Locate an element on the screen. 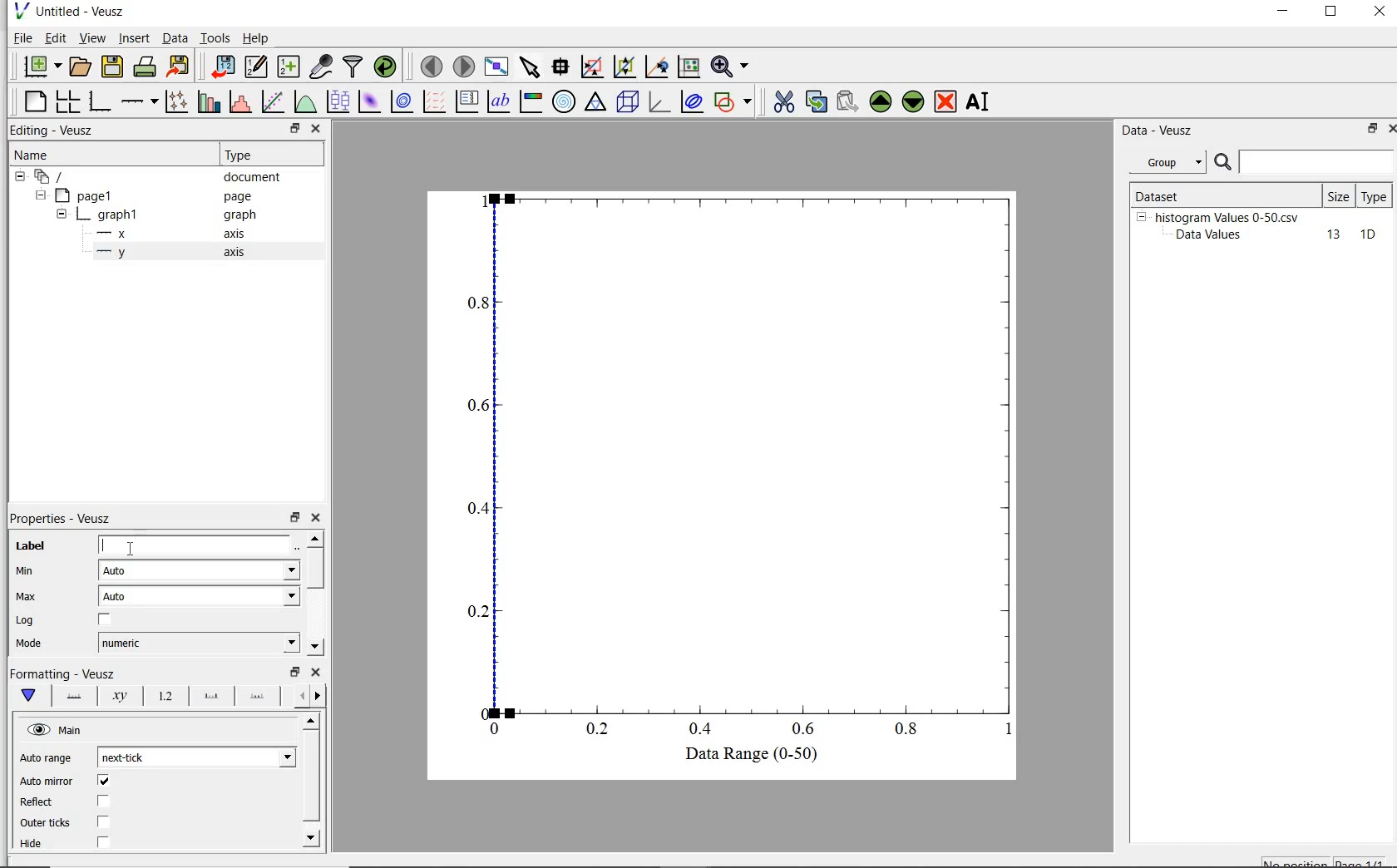  arrange graphs in a grid  is located at coordinates (70, 99).